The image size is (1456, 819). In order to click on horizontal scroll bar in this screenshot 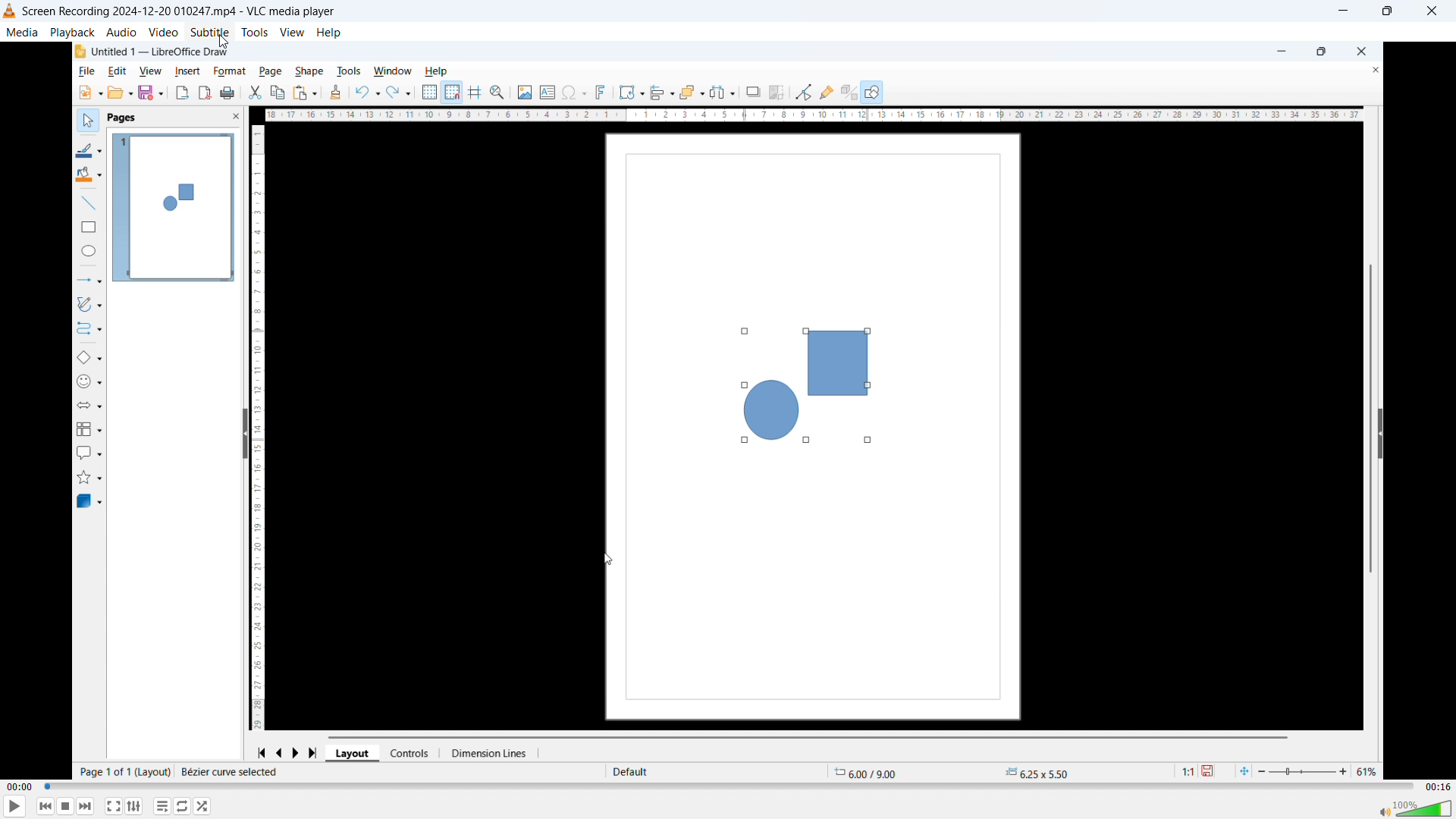, I will do `click(812, 736)`.